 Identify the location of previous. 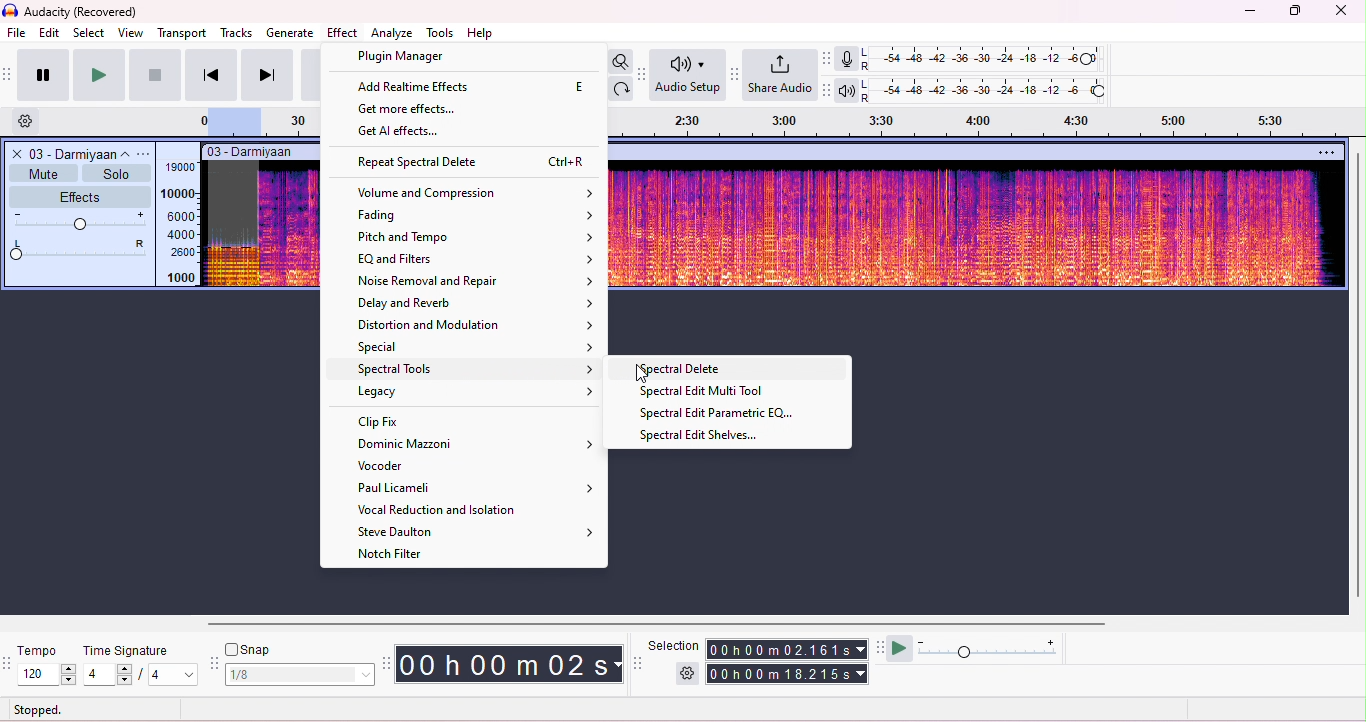
(211, 75).